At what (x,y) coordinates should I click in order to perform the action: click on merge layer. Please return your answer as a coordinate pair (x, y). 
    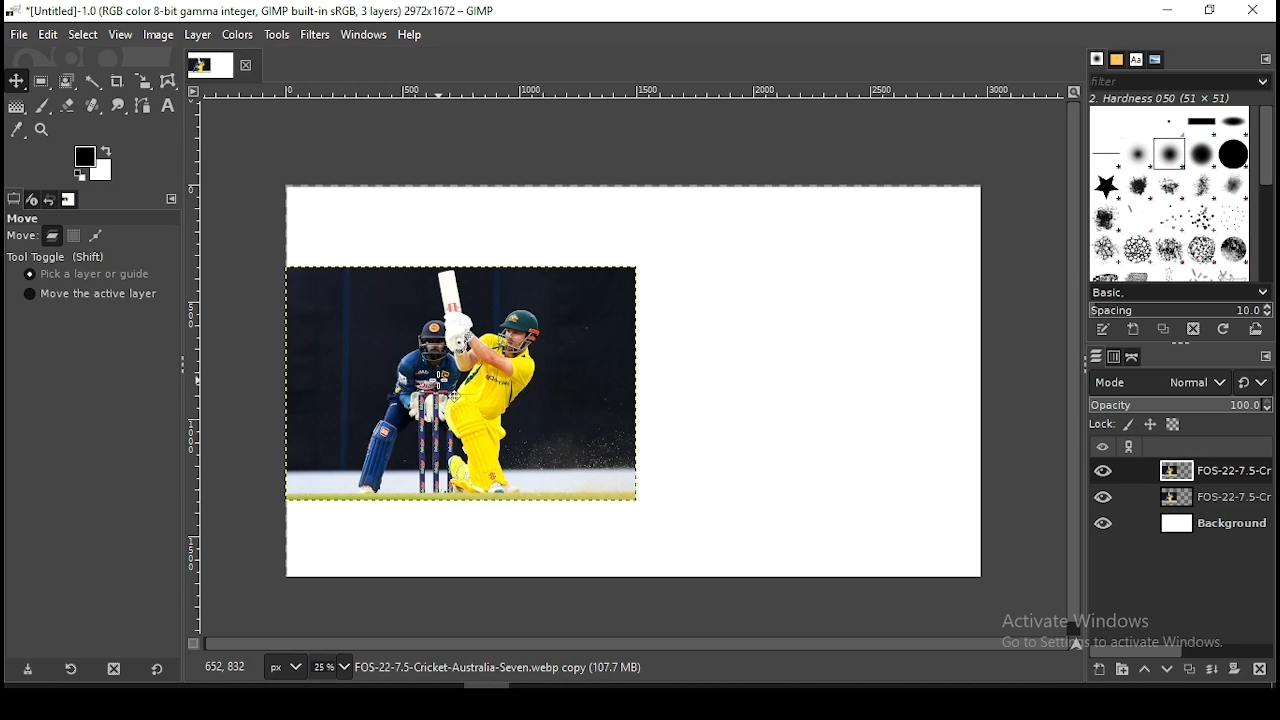
    Looking at the image, I should click on (1212, 669).